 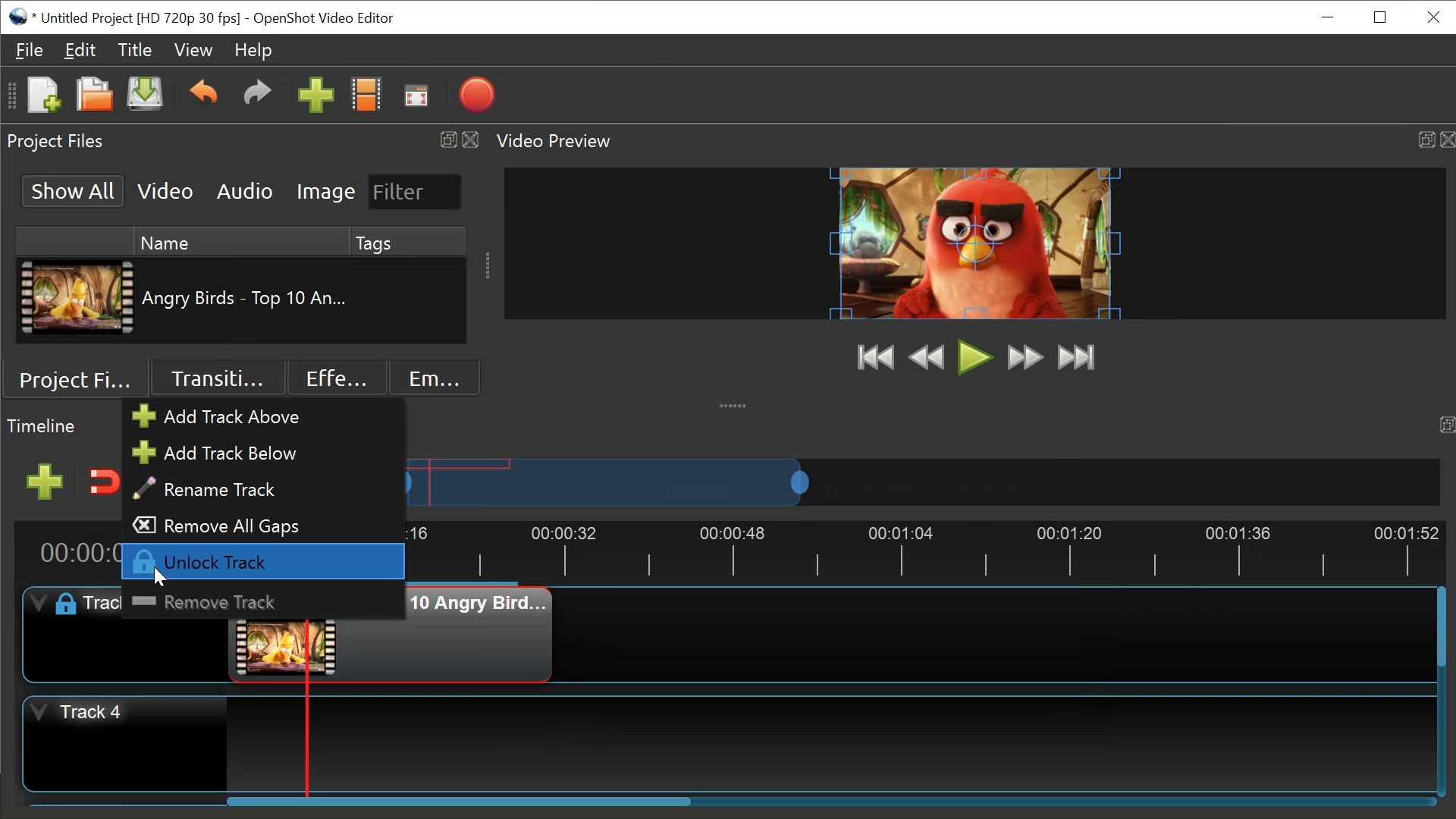 I want to click on Jump to End, so click(x=1076, y=358).